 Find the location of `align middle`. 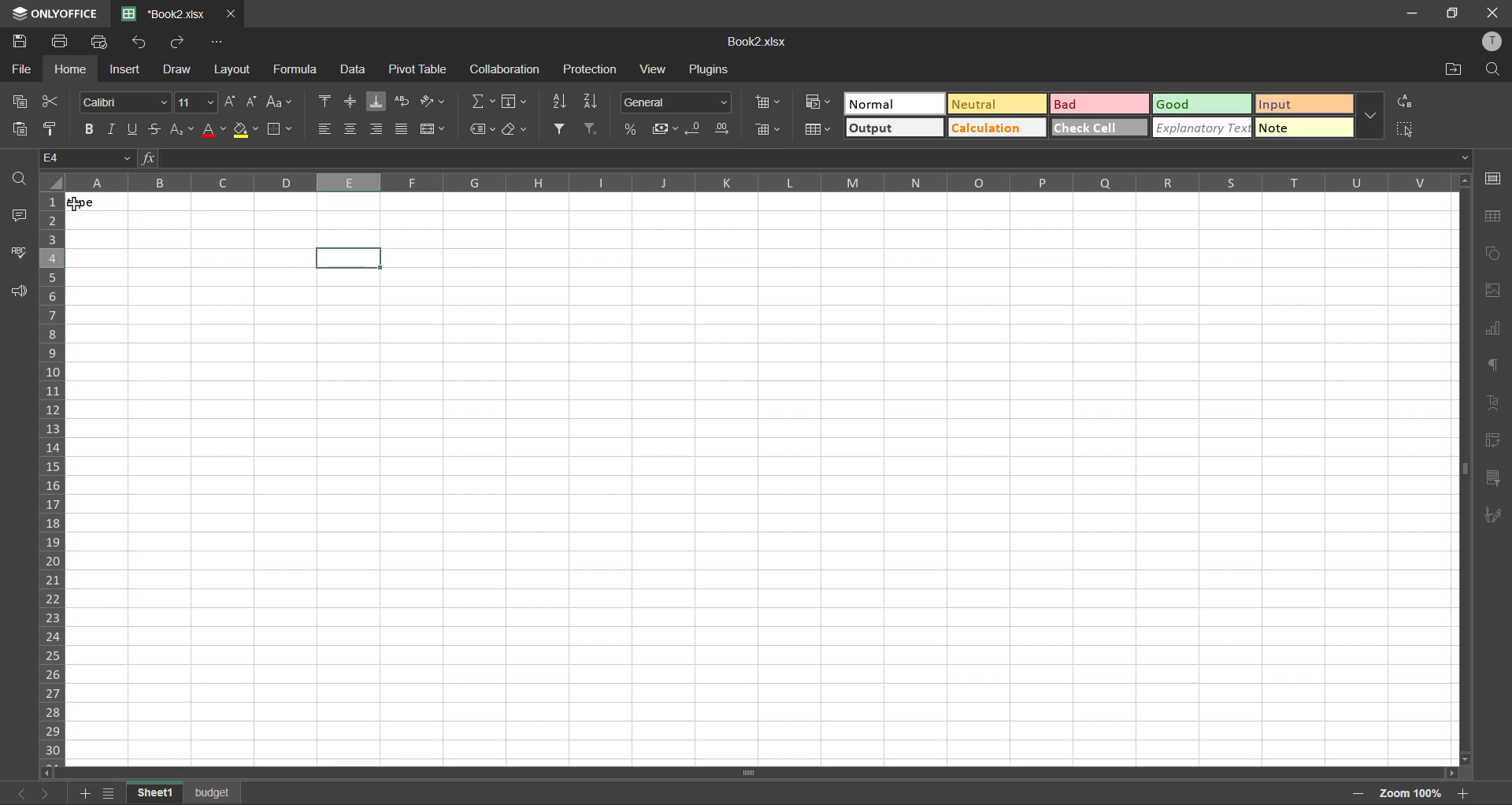

align middle is located at coordinates (346, 98).